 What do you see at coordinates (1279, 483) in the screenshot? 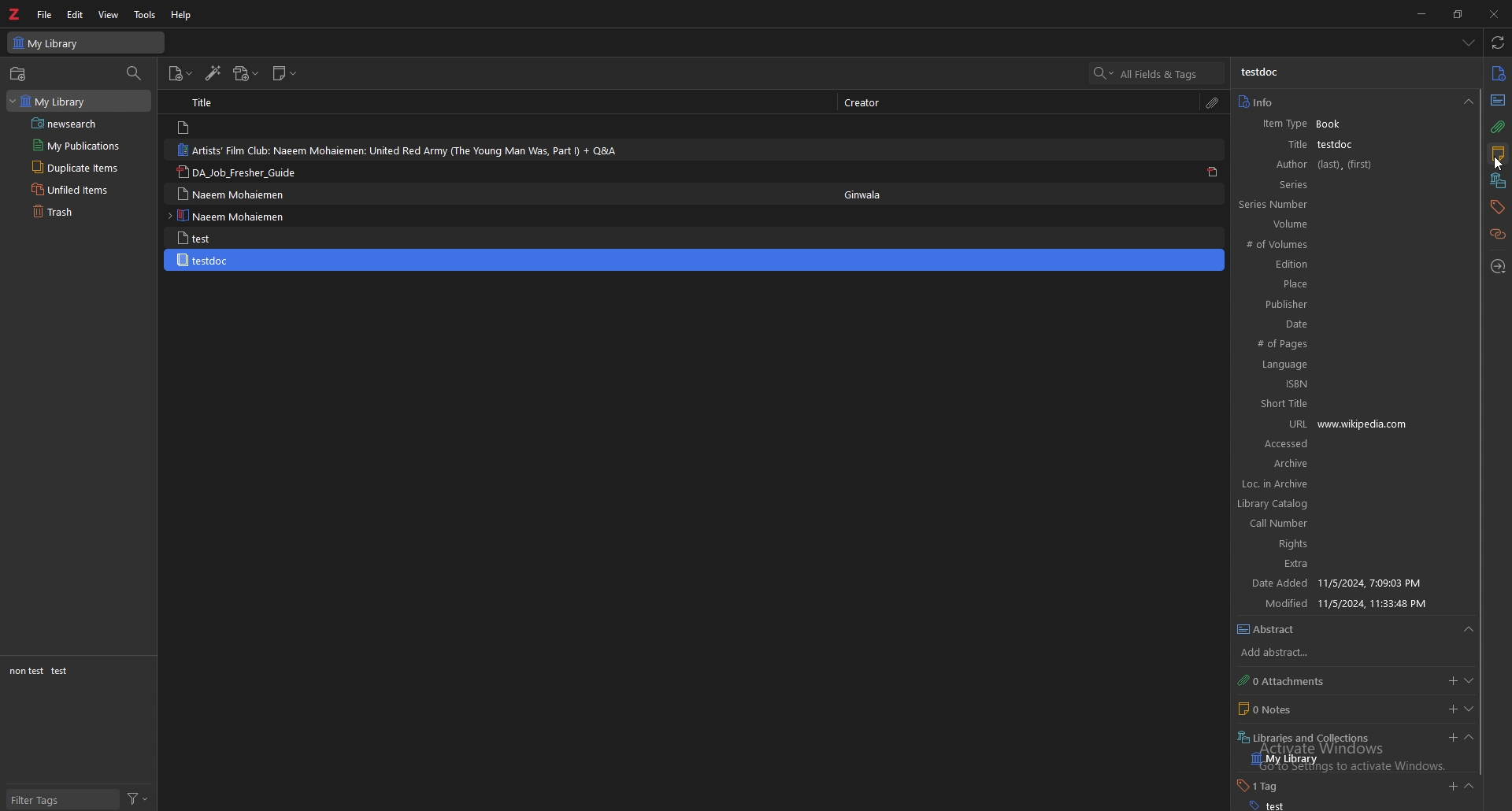
I see `loc. in archive` at bounding box center [1279, 483].